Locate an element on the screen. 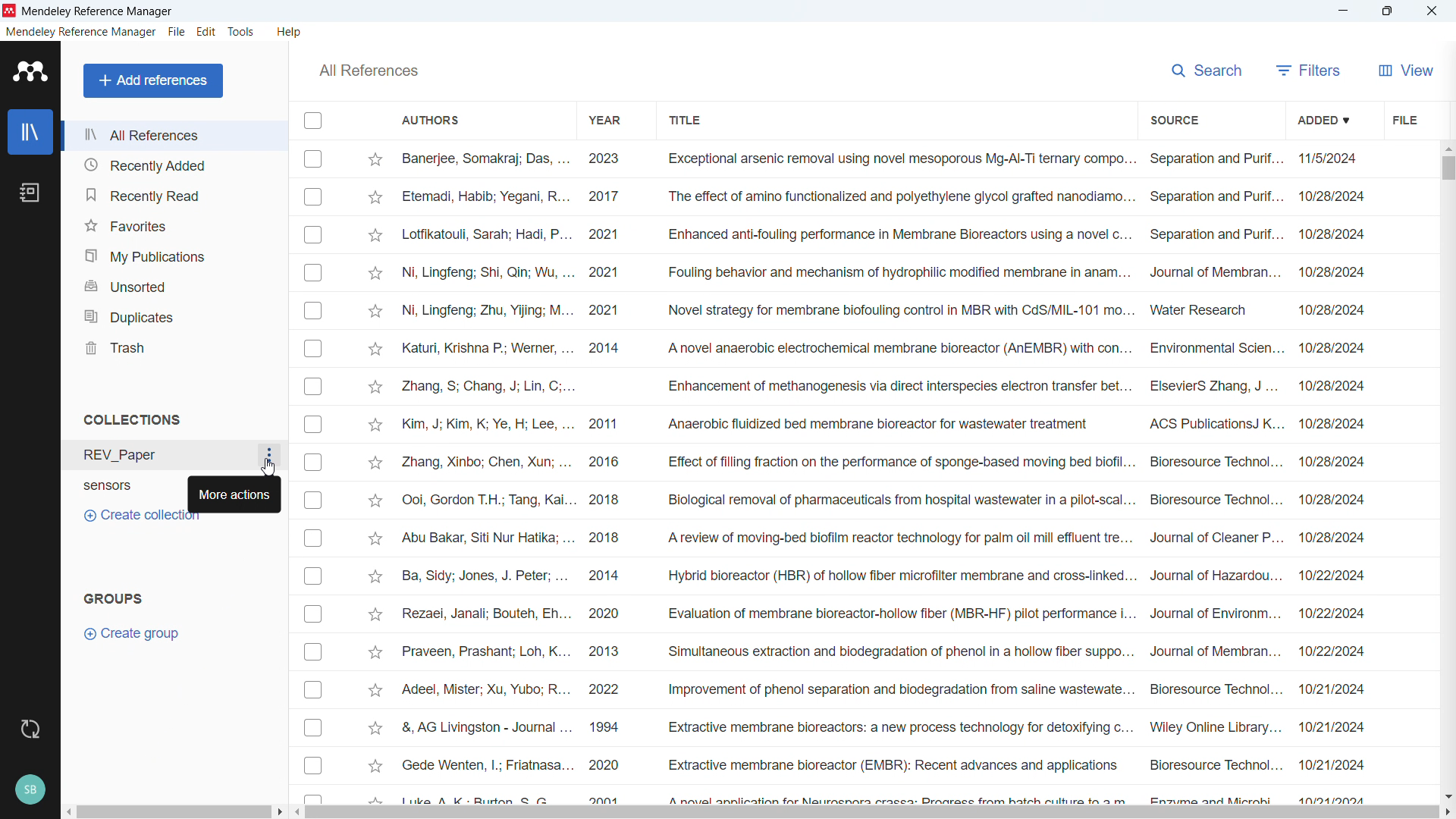  Lotfikatouli, Sarah; Hadi, P... 2021 Enhanced anti-fouling performance in Membrane Bioreactors using a novel c... Separation and Purif... 10/28/2024 is located at coordinates (883, 234).